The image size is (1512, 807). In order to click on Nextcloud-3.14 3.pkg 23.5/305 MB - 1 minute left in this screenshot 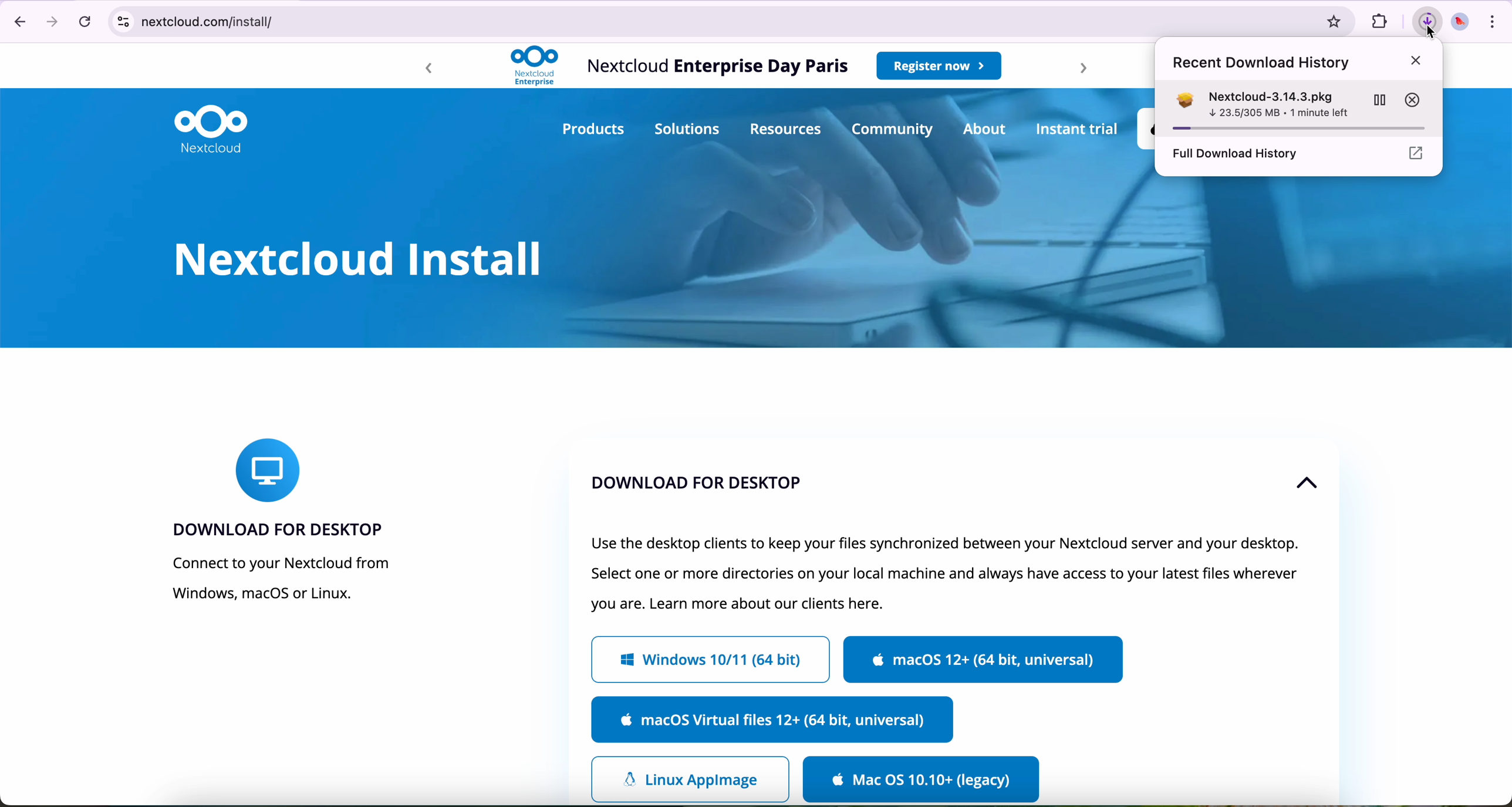, I will do `click(1298, 107)`.